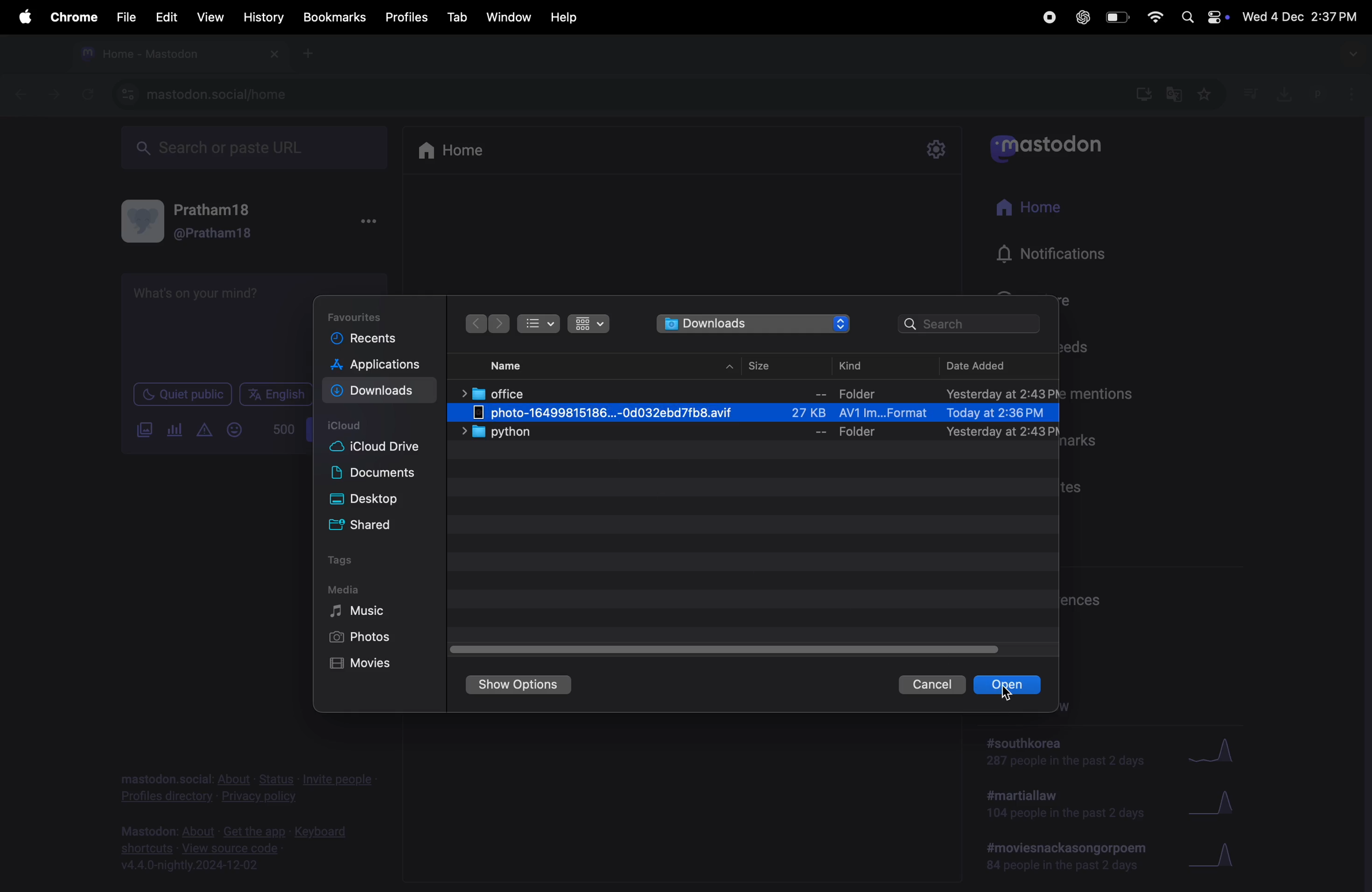 The image size is (1372, 892). What do you see at coordinates (348, 426) in the screenshot?
I see `icloud` at bounding box center [348, 426].